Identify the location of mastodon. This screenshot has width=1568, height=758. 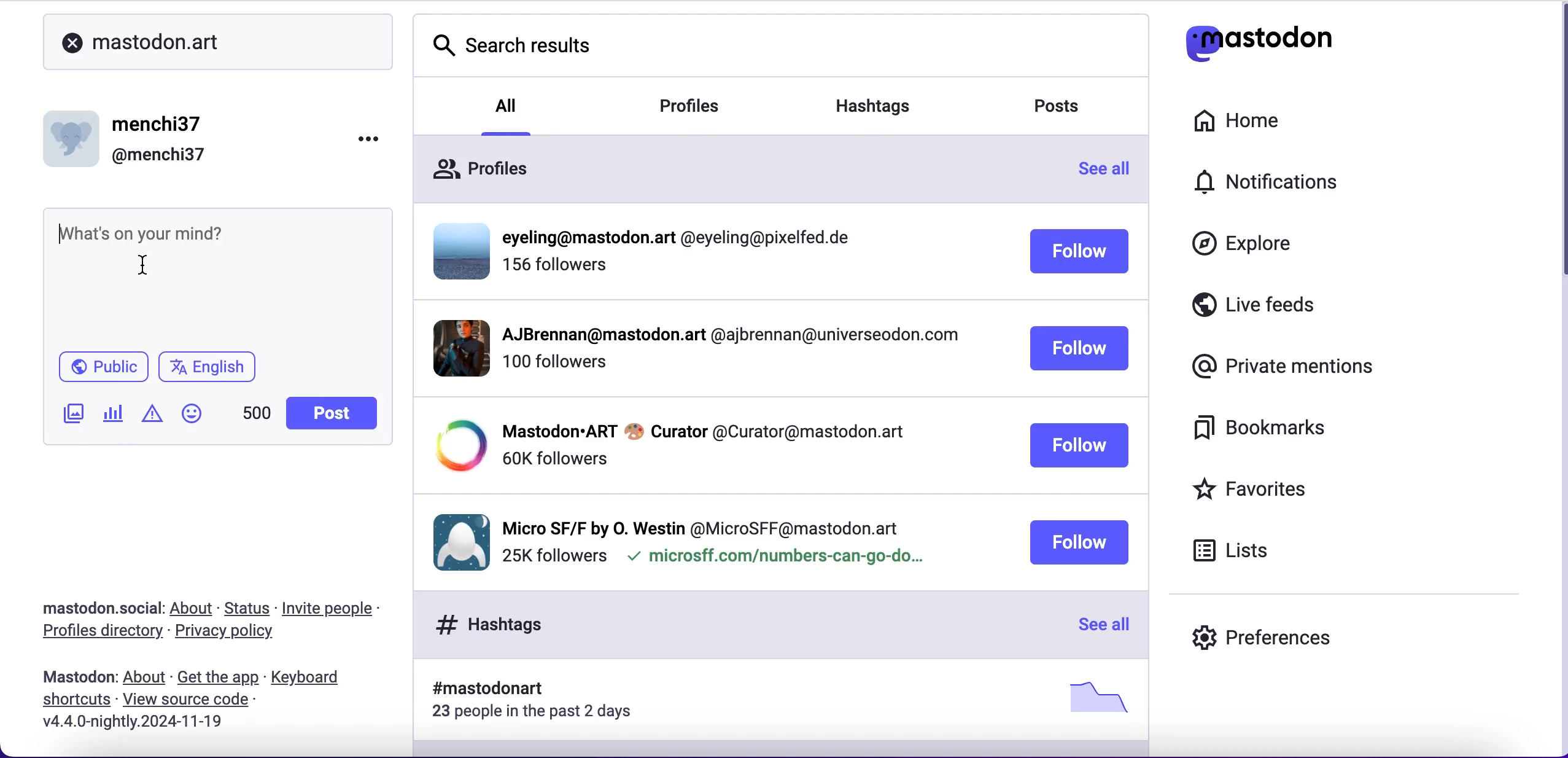
(74, 678).